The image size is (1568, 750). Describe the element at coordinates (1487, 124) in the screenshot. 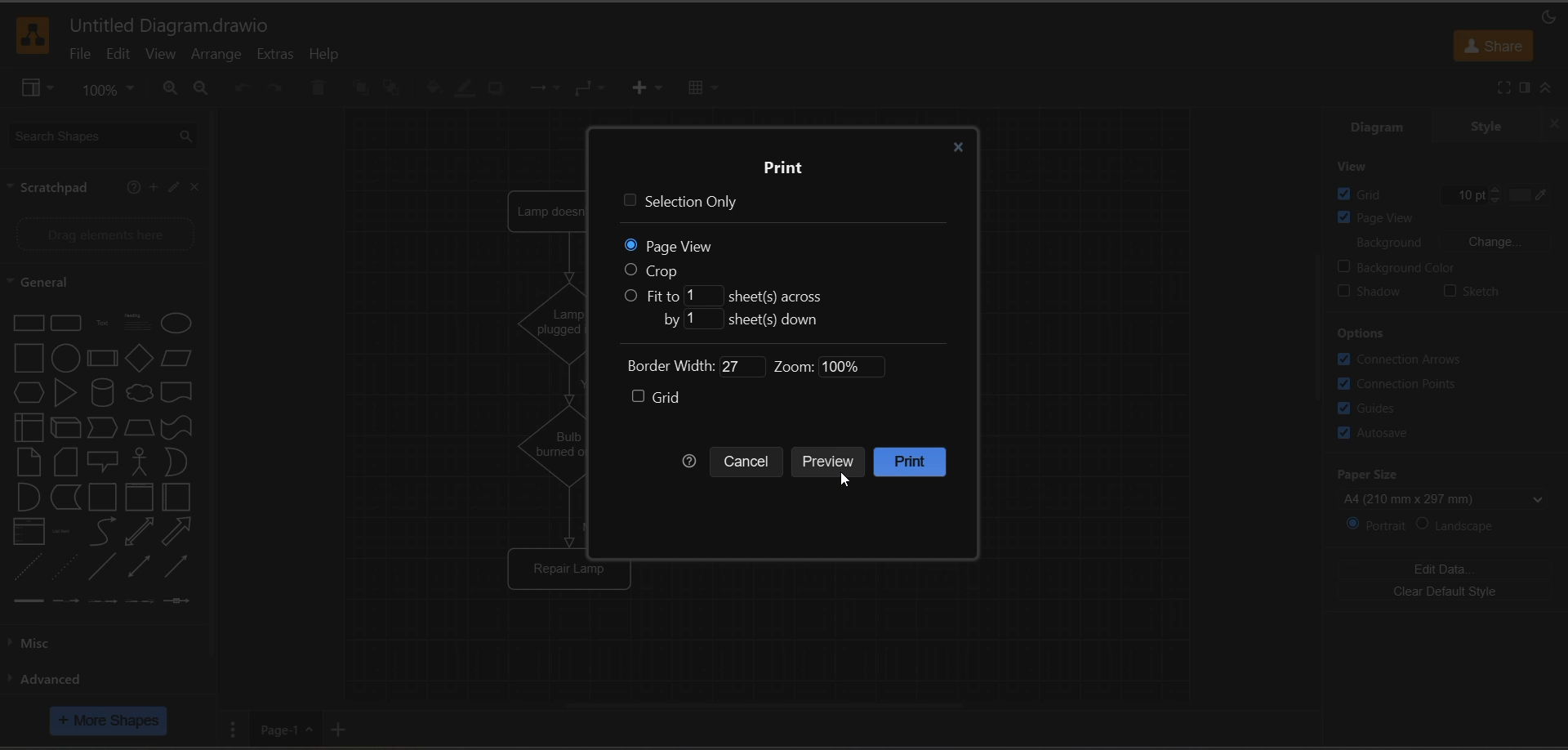

I see `style` at that location.